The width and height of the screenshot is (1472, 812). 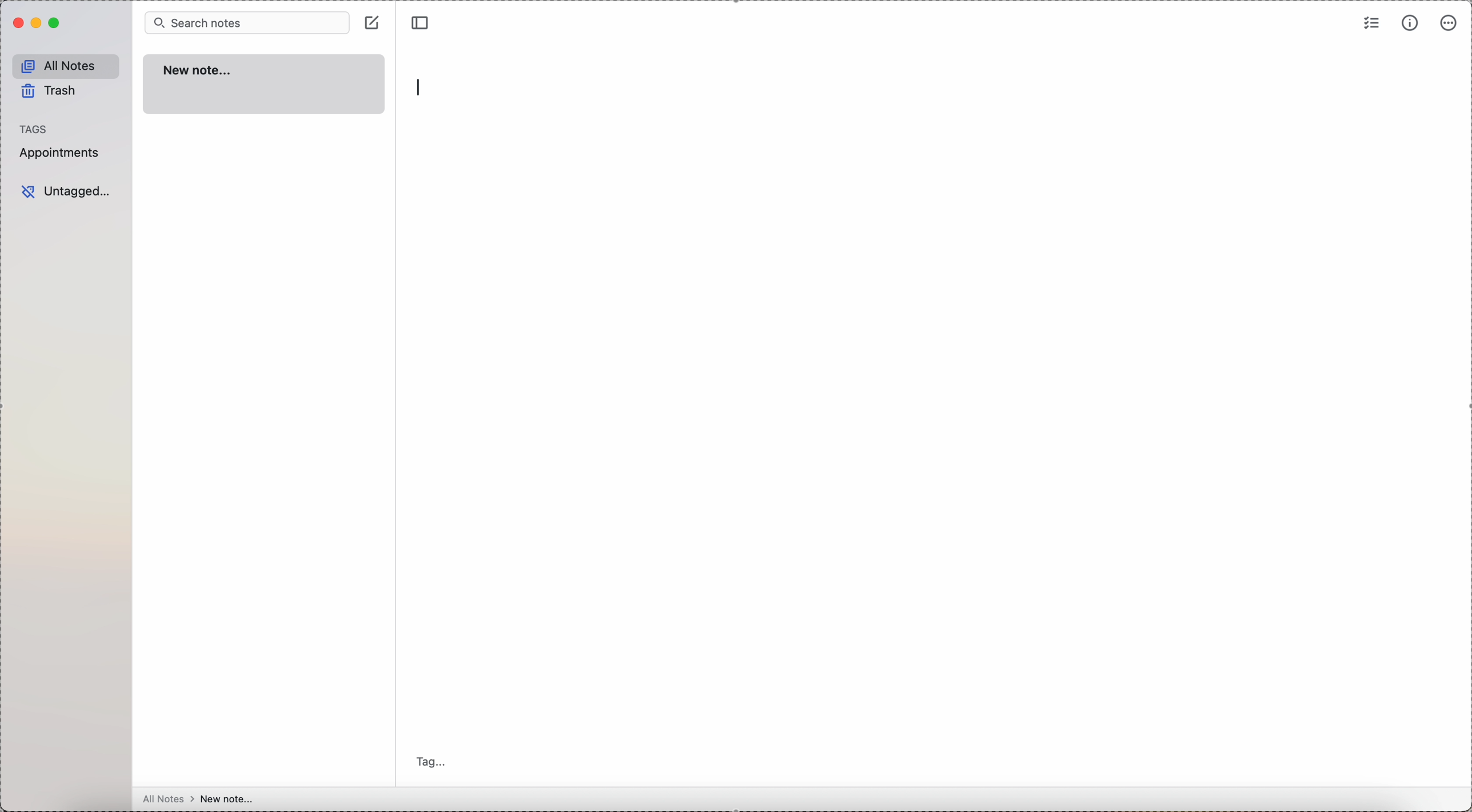 What do you see at coordinates (434, 763) in the screenshot?
I see `tag` at bounding box center [434, 763].